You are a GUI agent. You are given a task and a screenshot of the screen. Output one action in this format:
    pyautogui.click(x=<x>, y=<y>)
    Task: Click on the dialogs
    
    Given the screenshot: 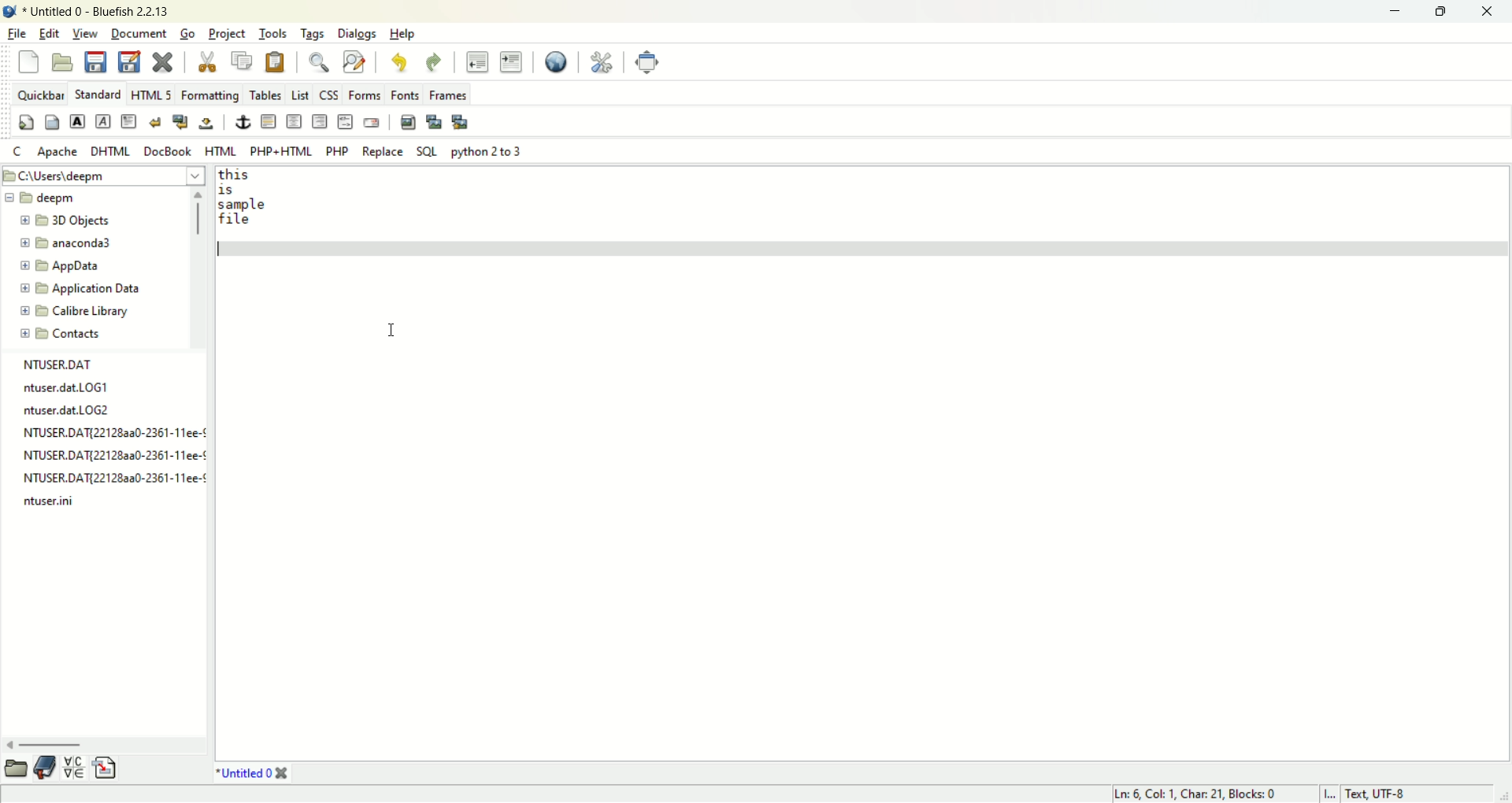 What is the action you would take?
    pyautogui.click(x=357, y=34)
    